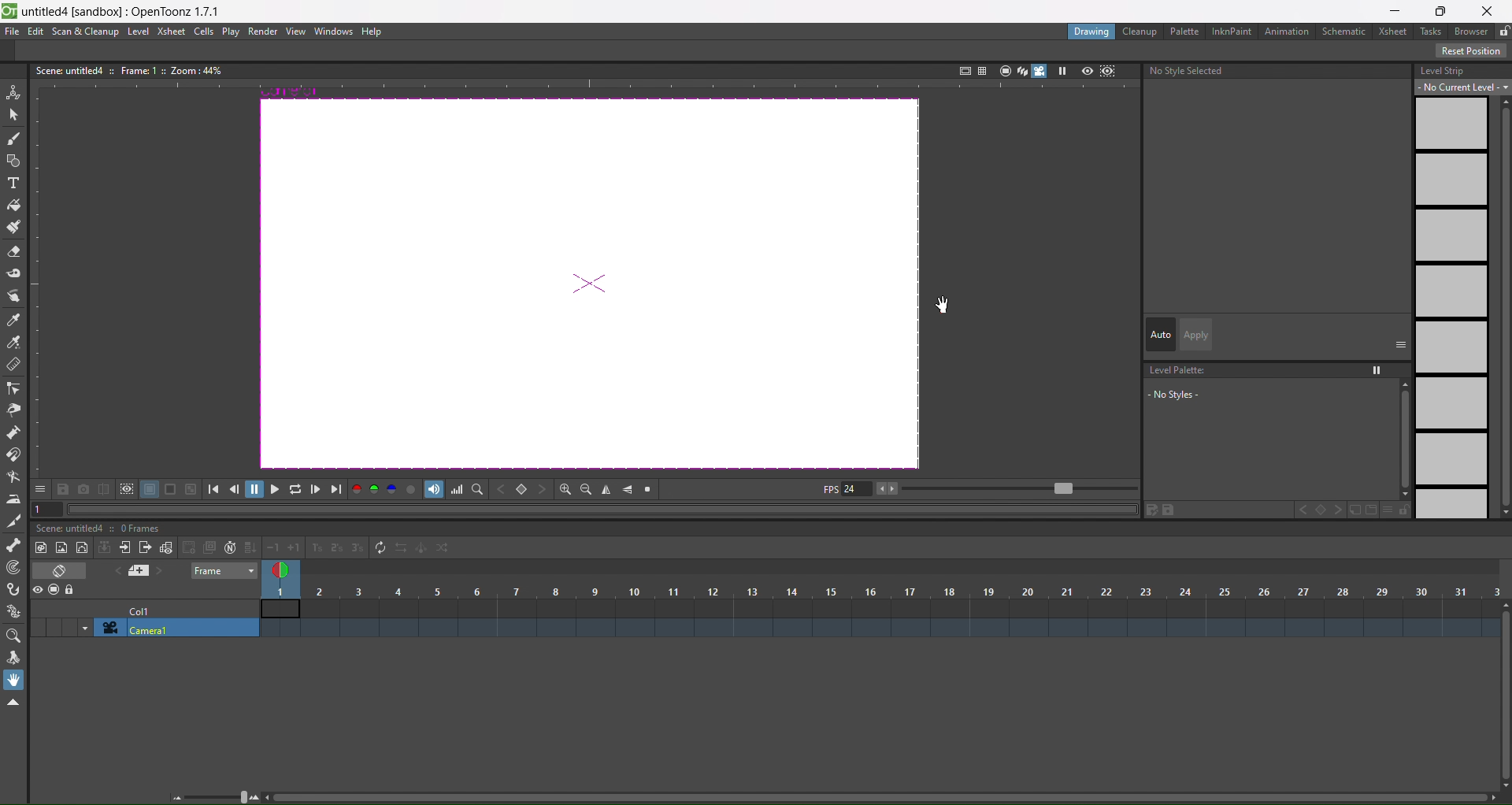 This screenshot has width=1512, height=805. Describe the element at coordinates (606, 491) in the screenshot. I see `flip horizontally` at that location.